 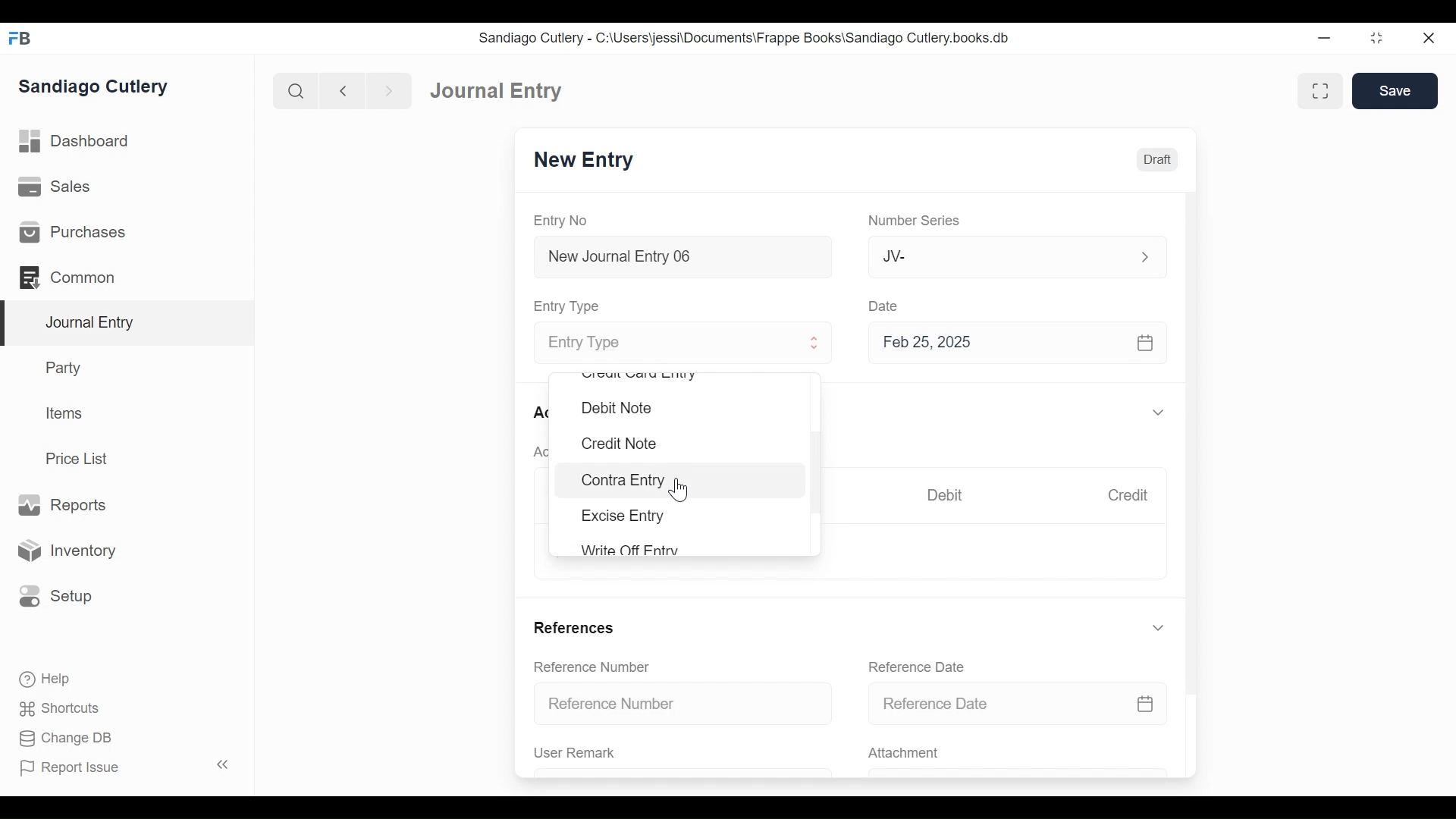 I want to click on Save, so click(x=1395, y=90).